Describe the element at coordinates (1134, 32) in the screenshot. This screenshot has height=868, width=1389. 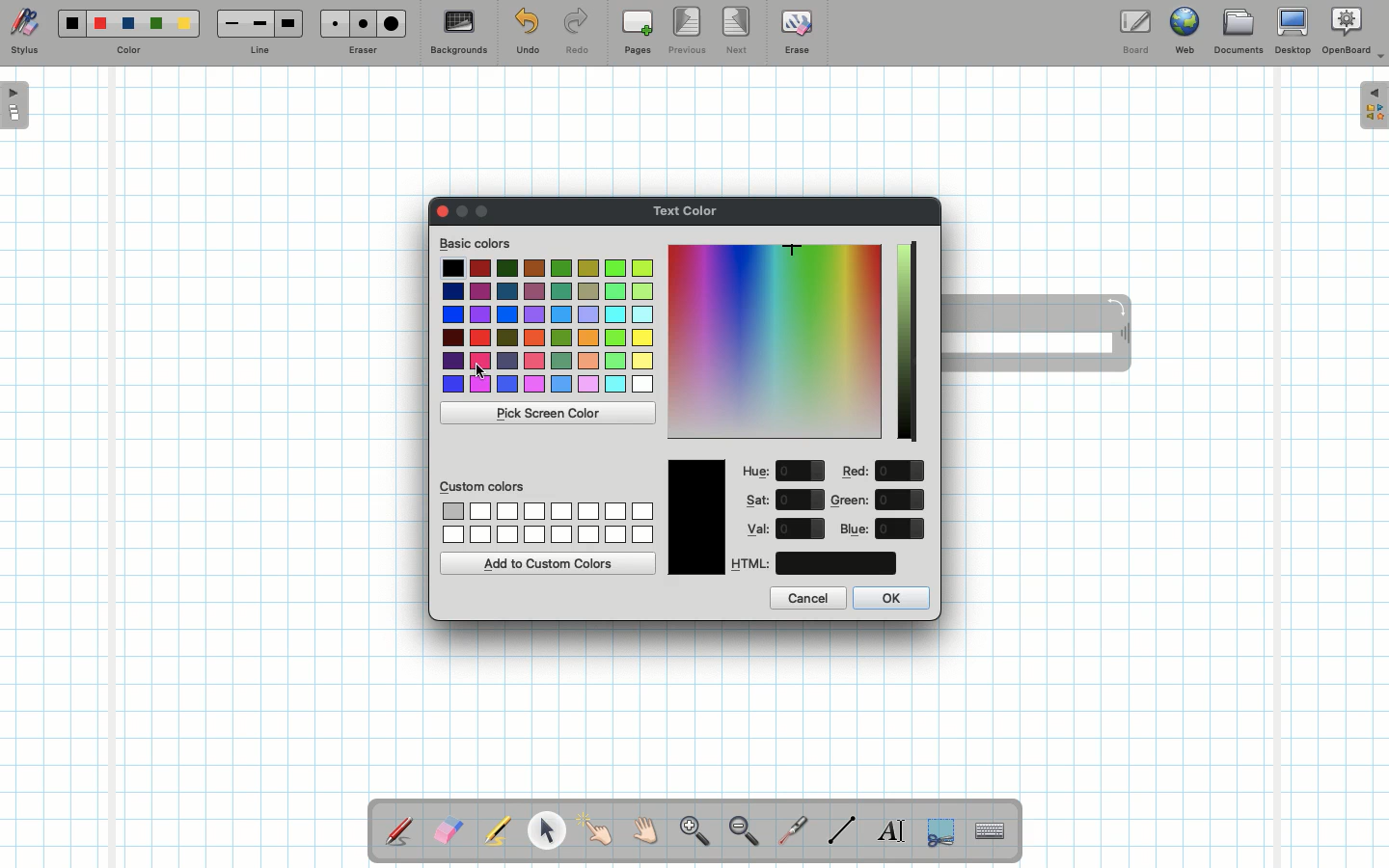
I see `Board` at that location.